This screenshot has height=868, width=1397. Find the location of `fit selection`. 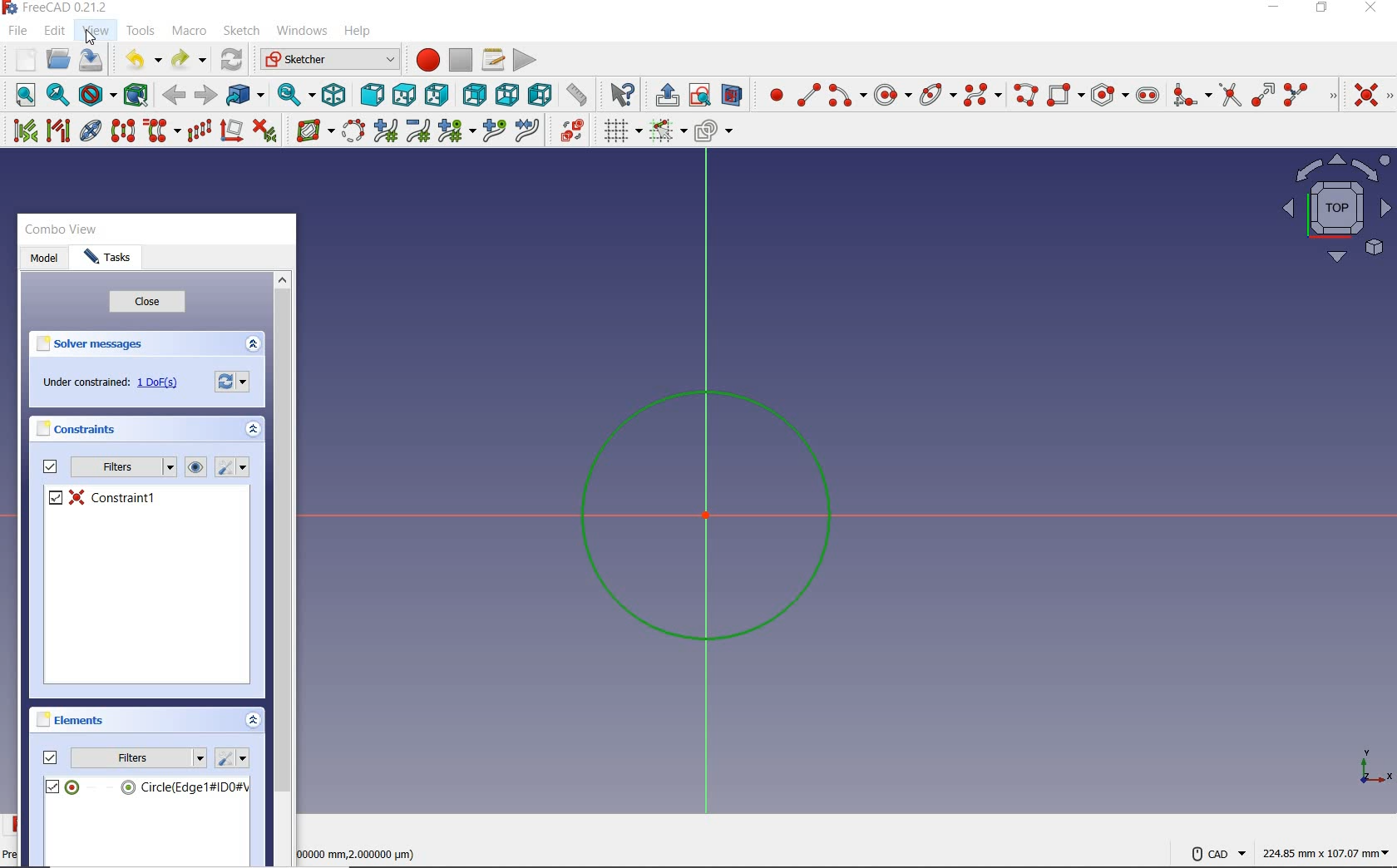

fit selection is located at coordinates (56, 94).